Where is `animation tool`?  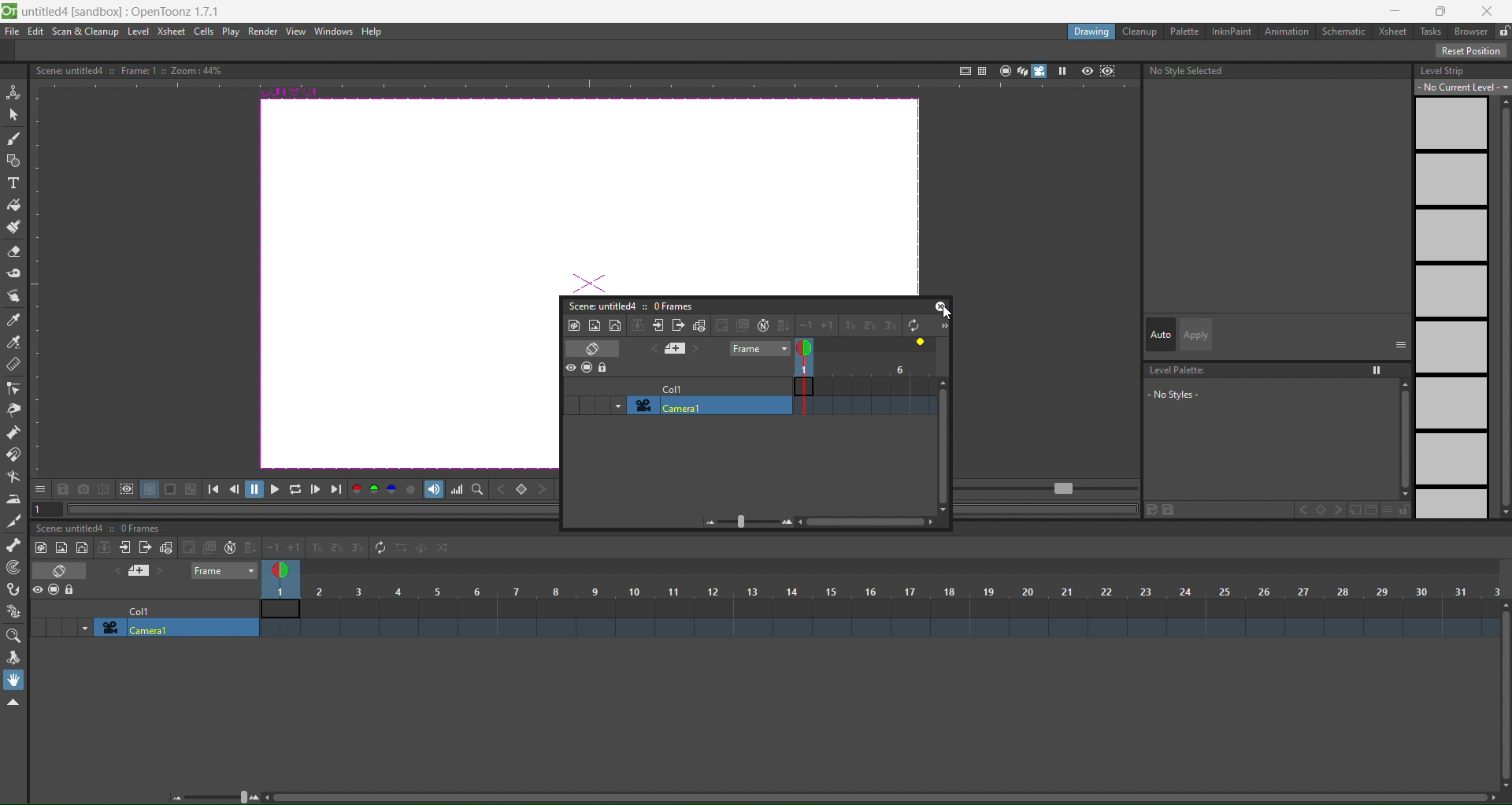
animation tool is located at coordinates (13, 91).